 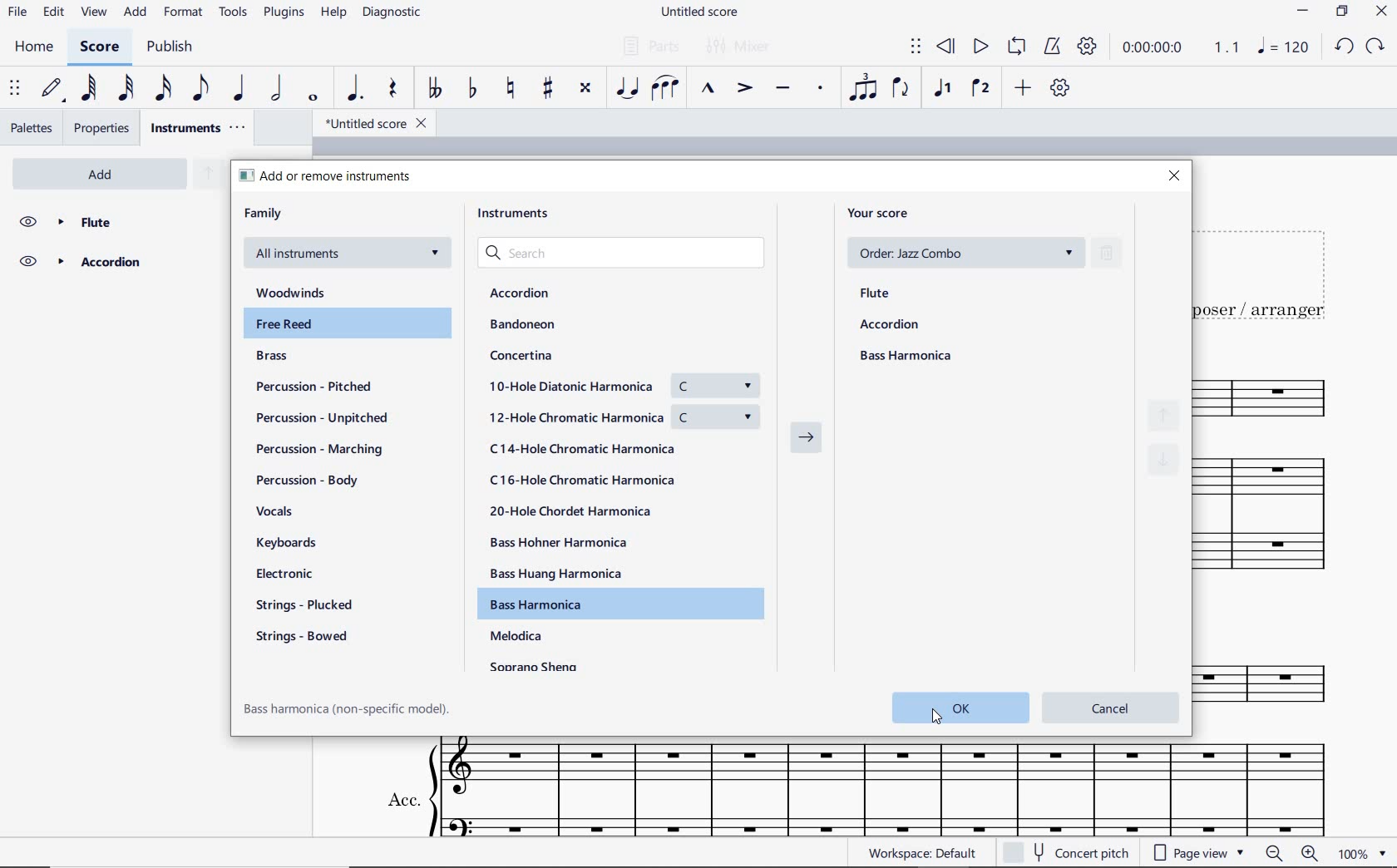 I want to click on Bandoneon, so click(x=524, y=326).